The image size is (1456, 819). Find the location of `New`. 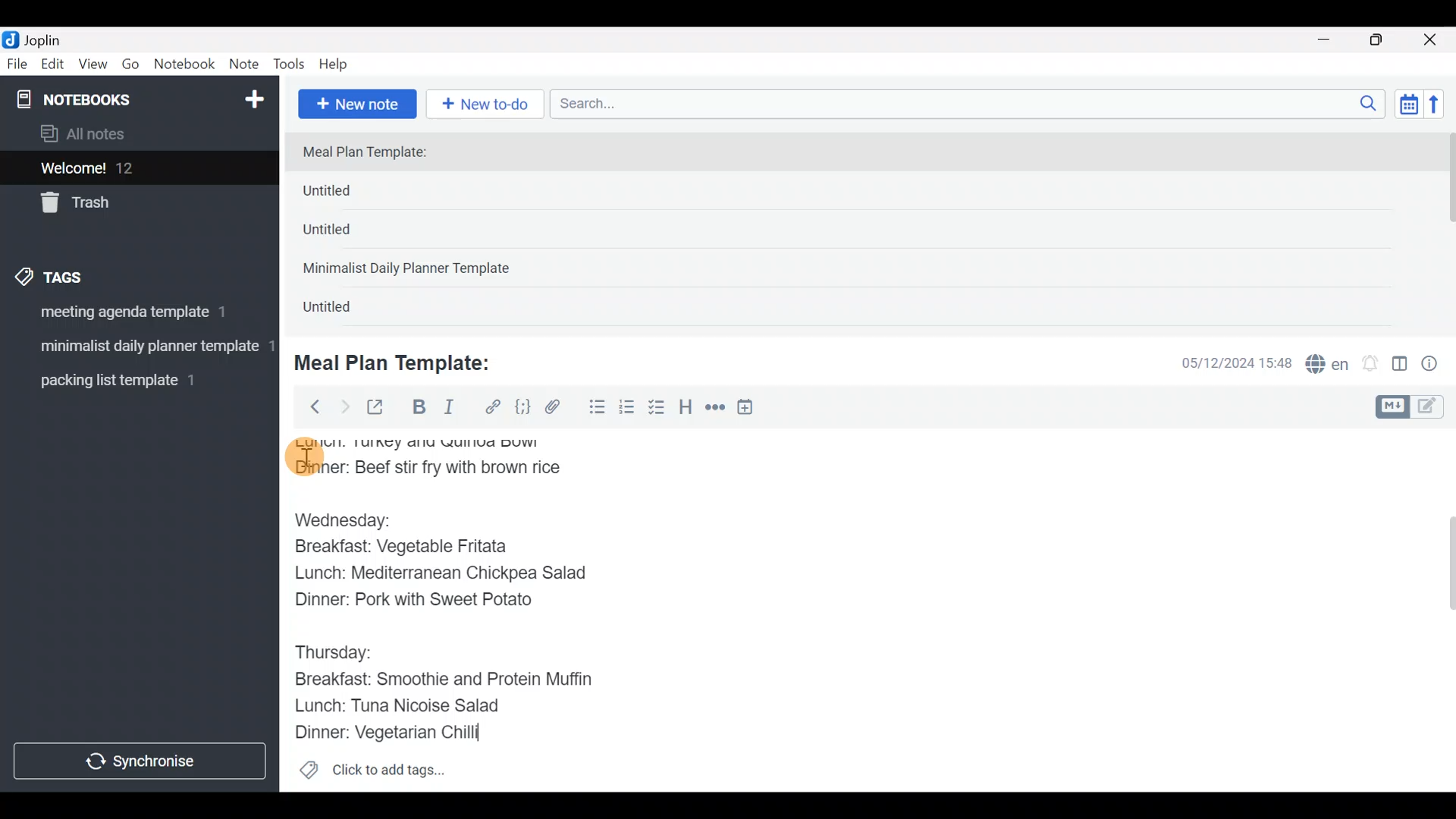

New is located at coordinates (253, 96).